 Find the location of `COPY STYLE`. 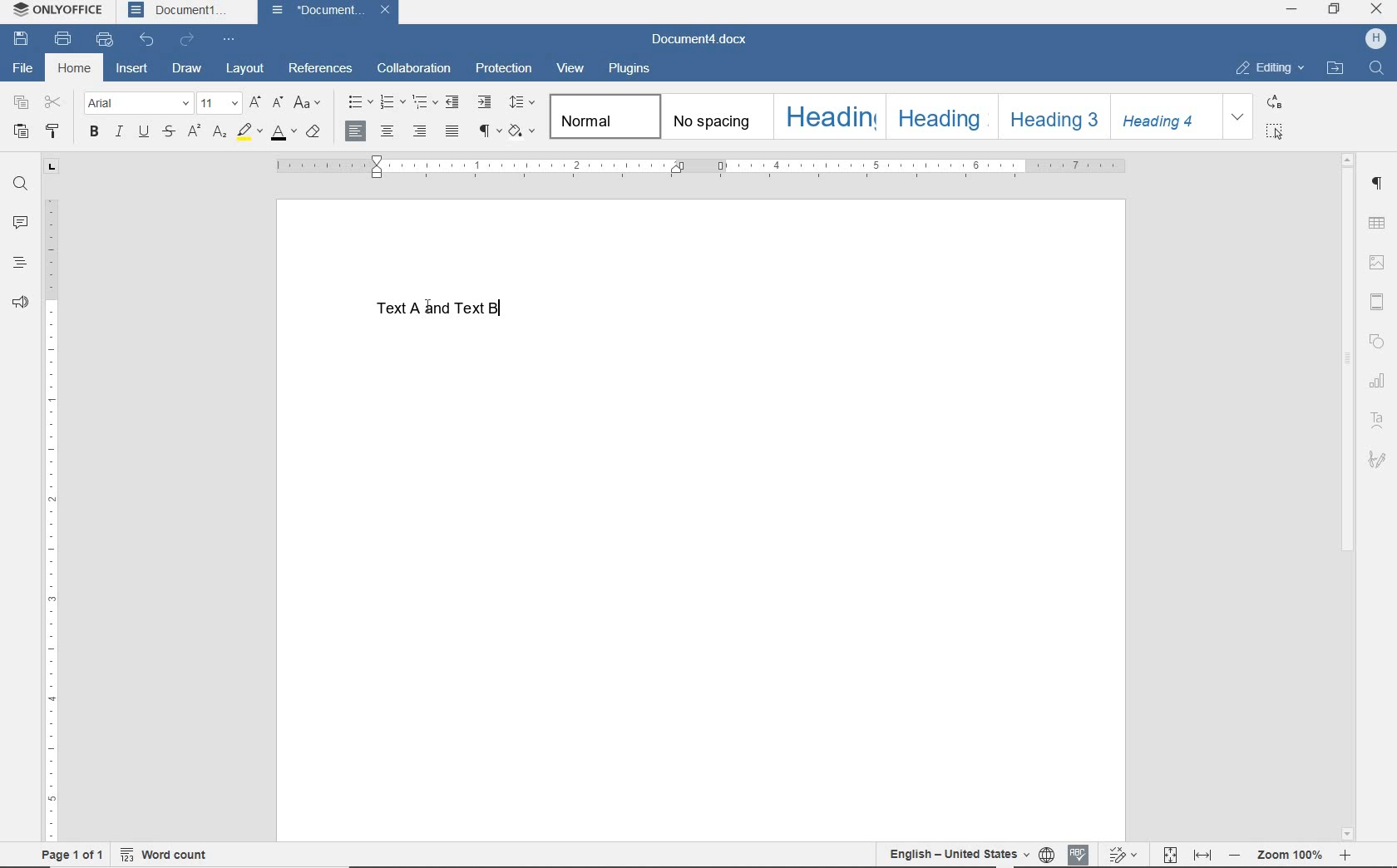

COPY STYLE is located at coordinates (57, 131).